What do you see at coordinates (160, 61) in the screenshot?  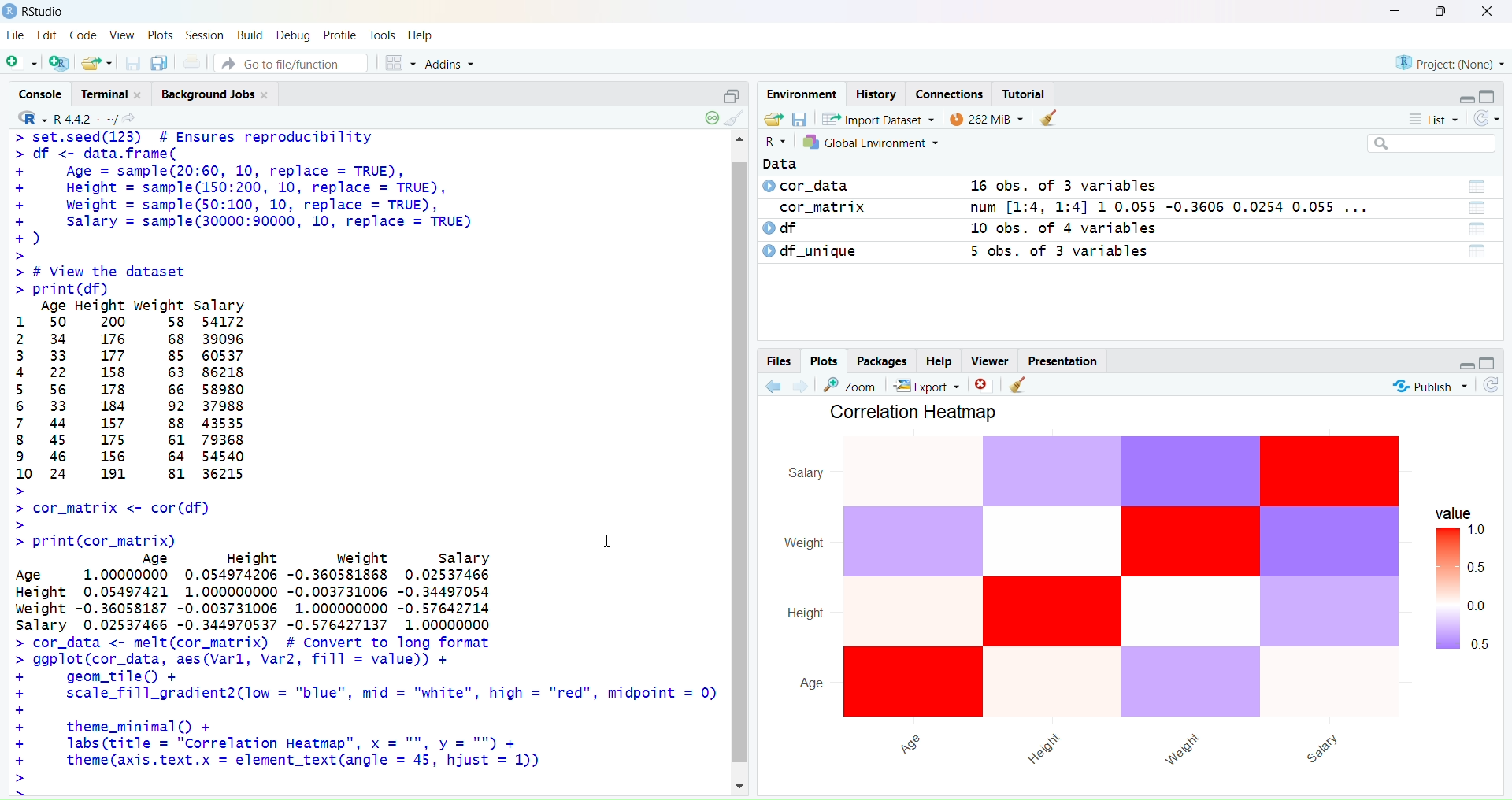 I see `Save all open documents (Ctrl + Alt + S)` at bounding box center [160, 61].